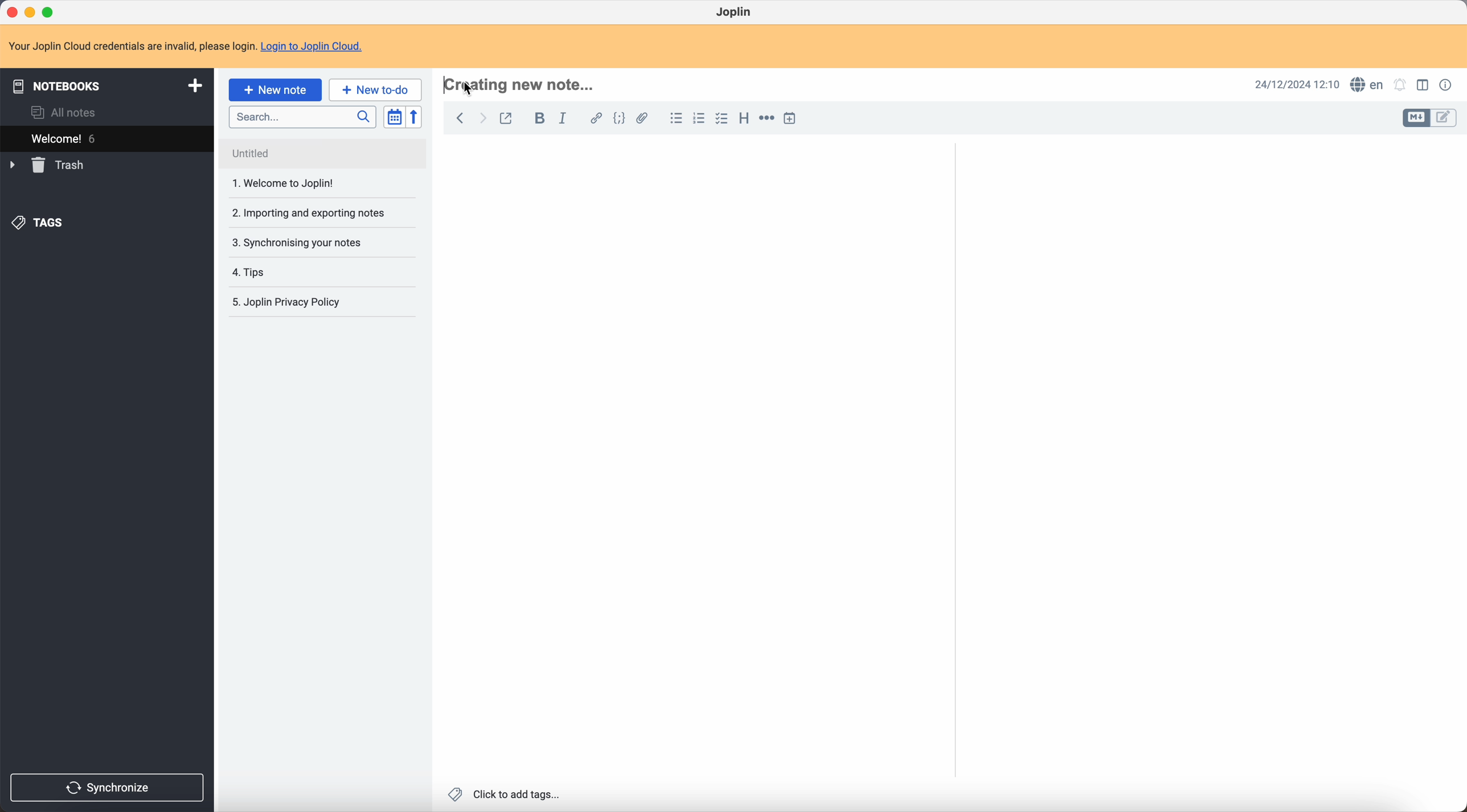 The height and width of the screenshot is (812, 1467). I want to click on toggle edit layout, so click(1445, 117).